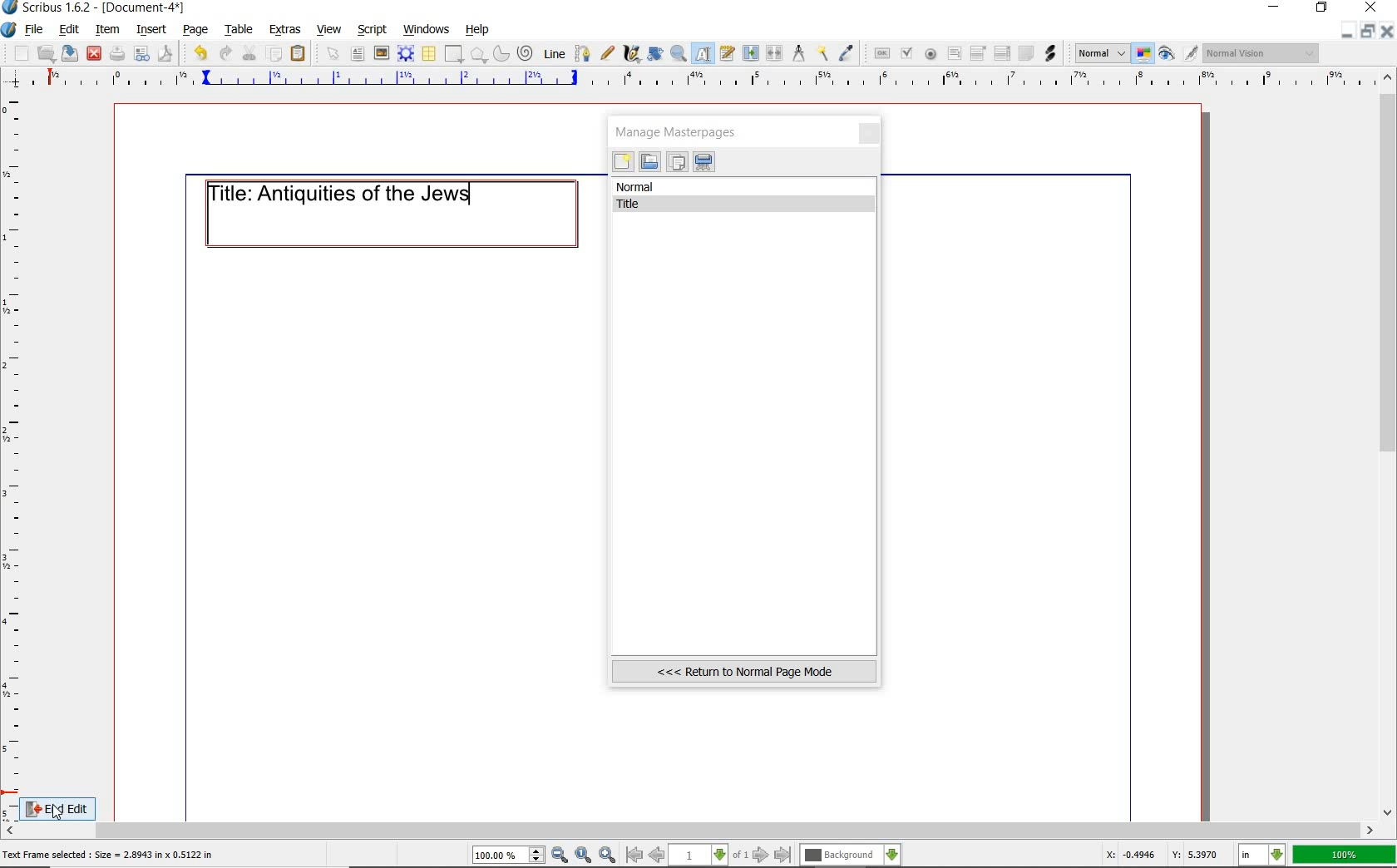 This screenshot has height=868, width=1397. What do you see at coordinates (605, 54) in the screenshot?
I see `freehand line` at bounding box center [605, 54].